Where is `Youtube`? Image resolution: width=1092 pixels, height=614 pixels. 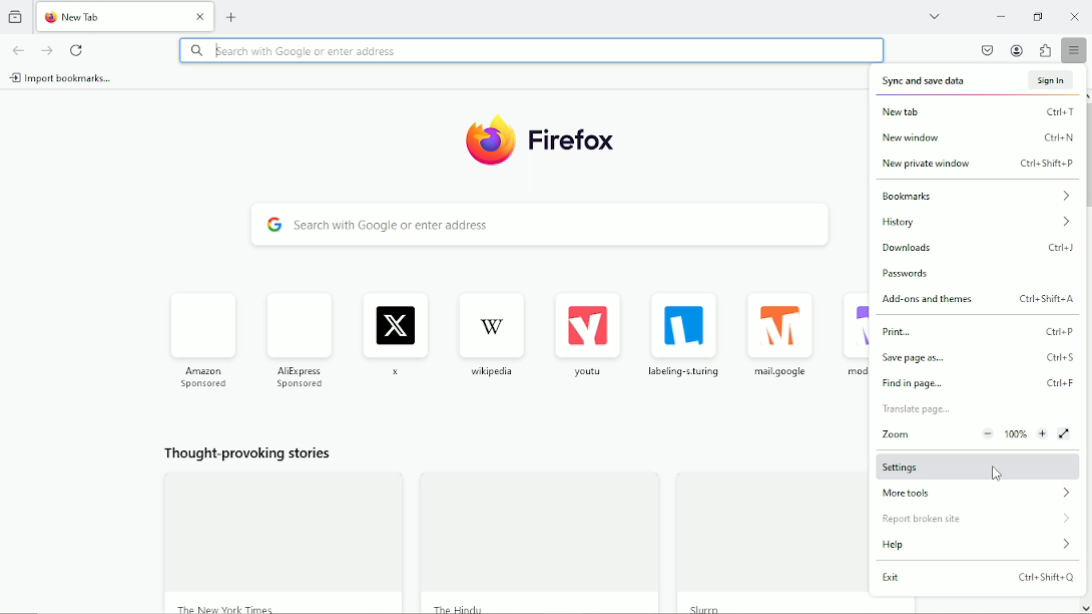 Youtube is located at coordinates (589, 336).